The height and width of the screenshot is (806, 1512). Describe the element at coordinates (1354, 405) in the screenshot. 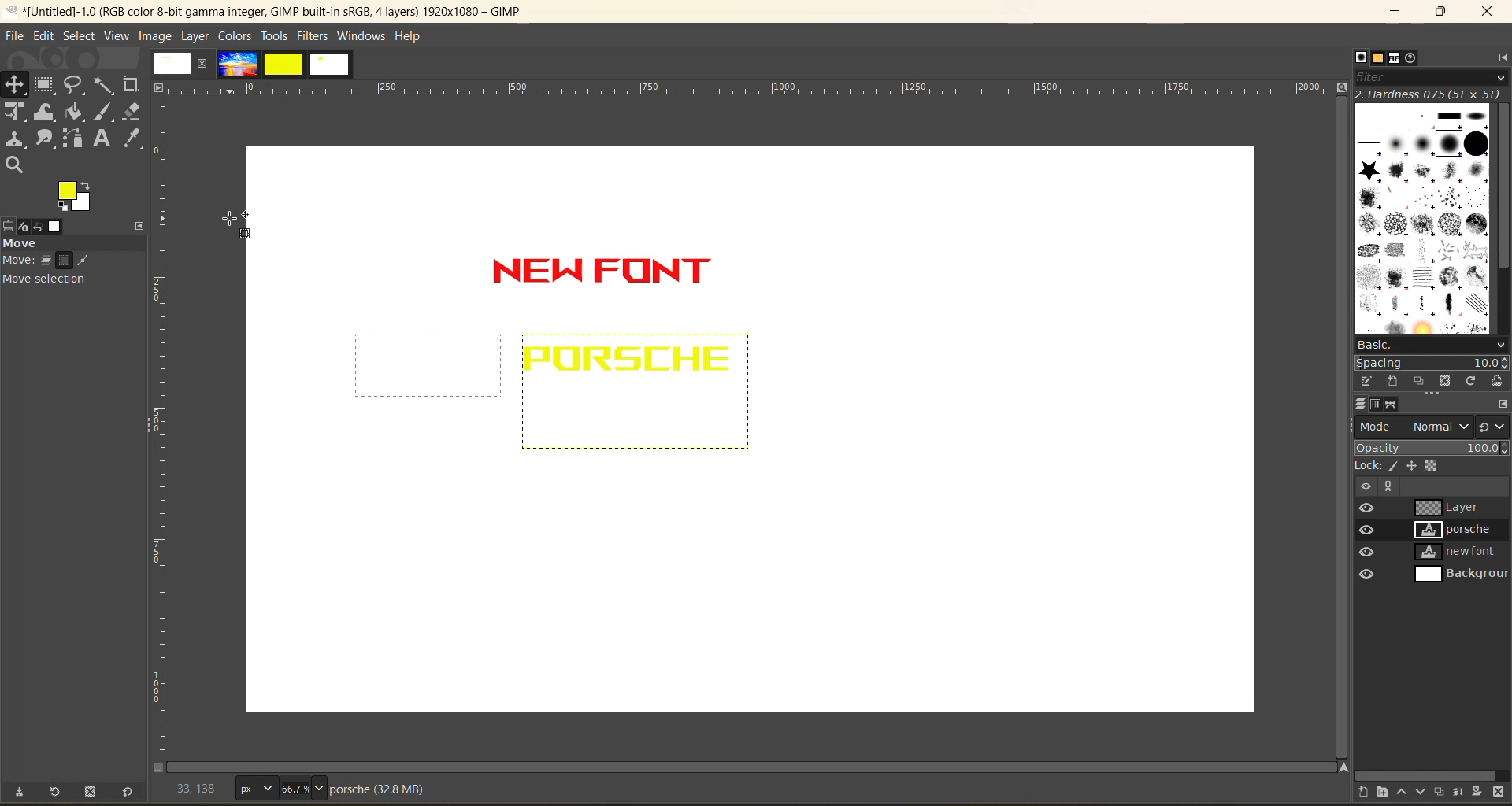

I see `layers` at that location.